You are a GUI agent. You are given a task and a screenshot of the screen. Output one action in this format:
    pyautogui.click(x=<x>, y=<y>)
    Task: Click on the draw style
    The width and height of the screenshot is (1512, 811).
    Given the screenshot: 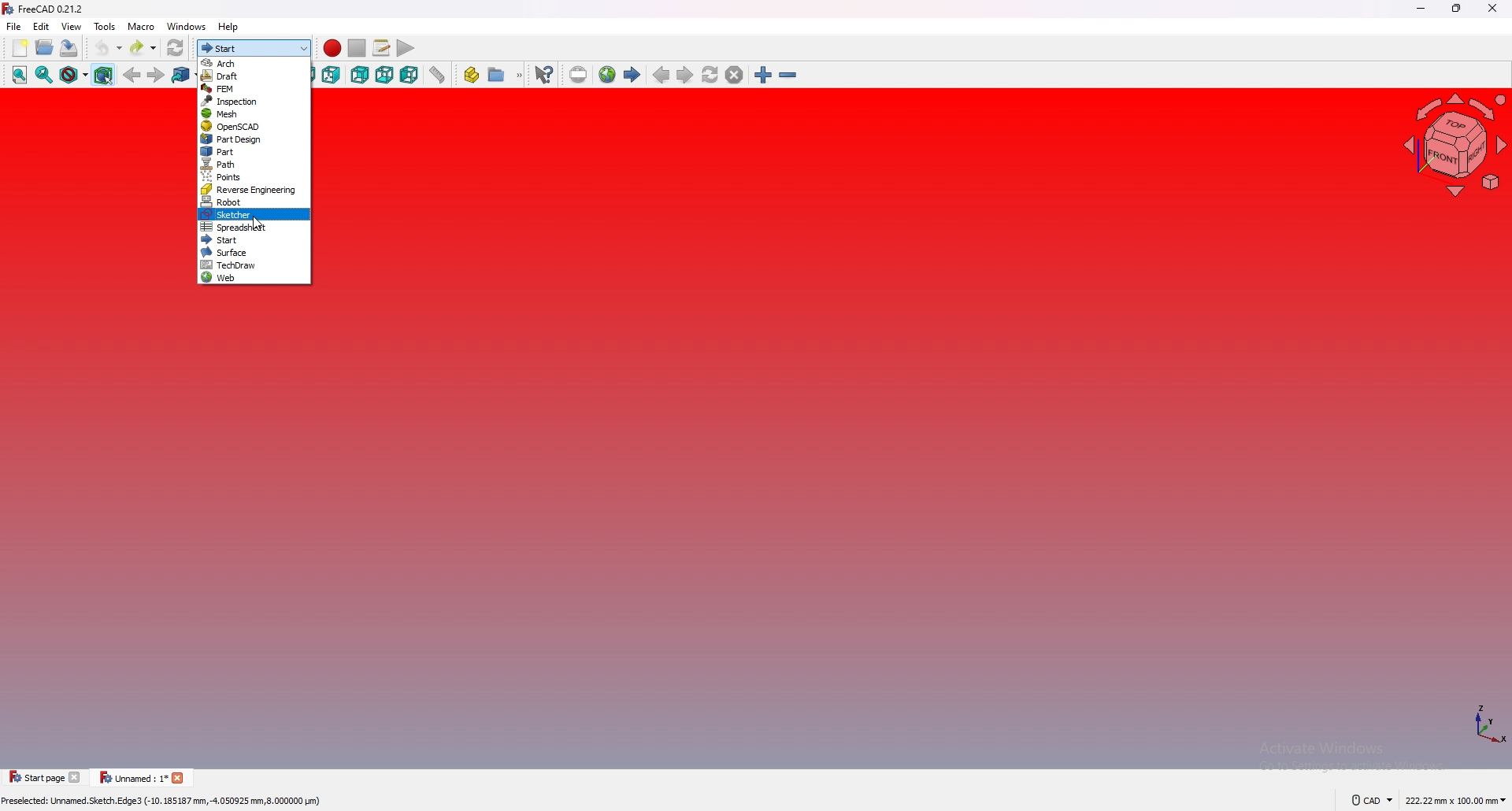 What is the action you would take?
    pyautogui.click(x=74, y=75)
    